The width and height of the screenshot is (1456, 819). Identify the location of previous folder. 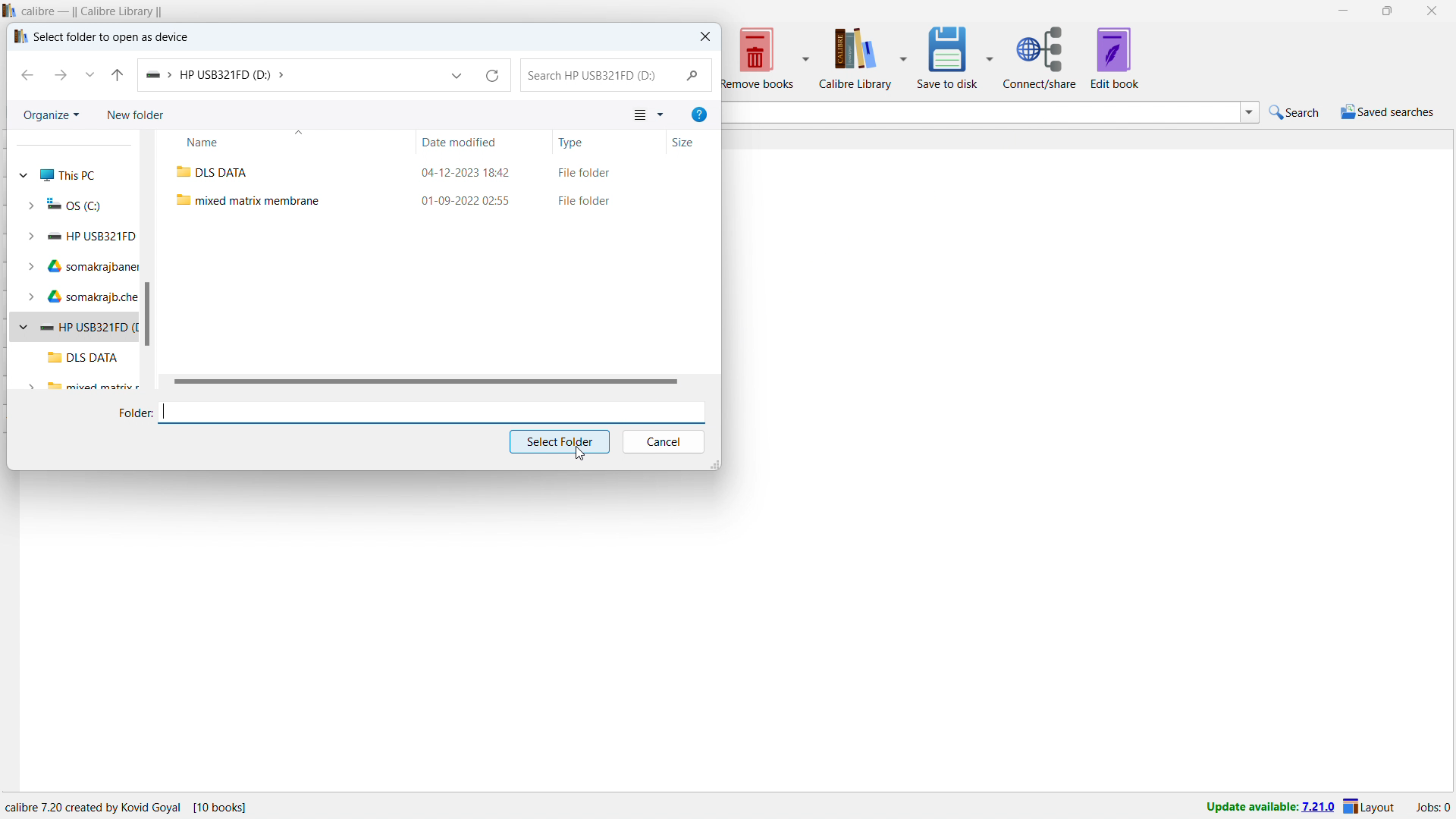
(27, 75).